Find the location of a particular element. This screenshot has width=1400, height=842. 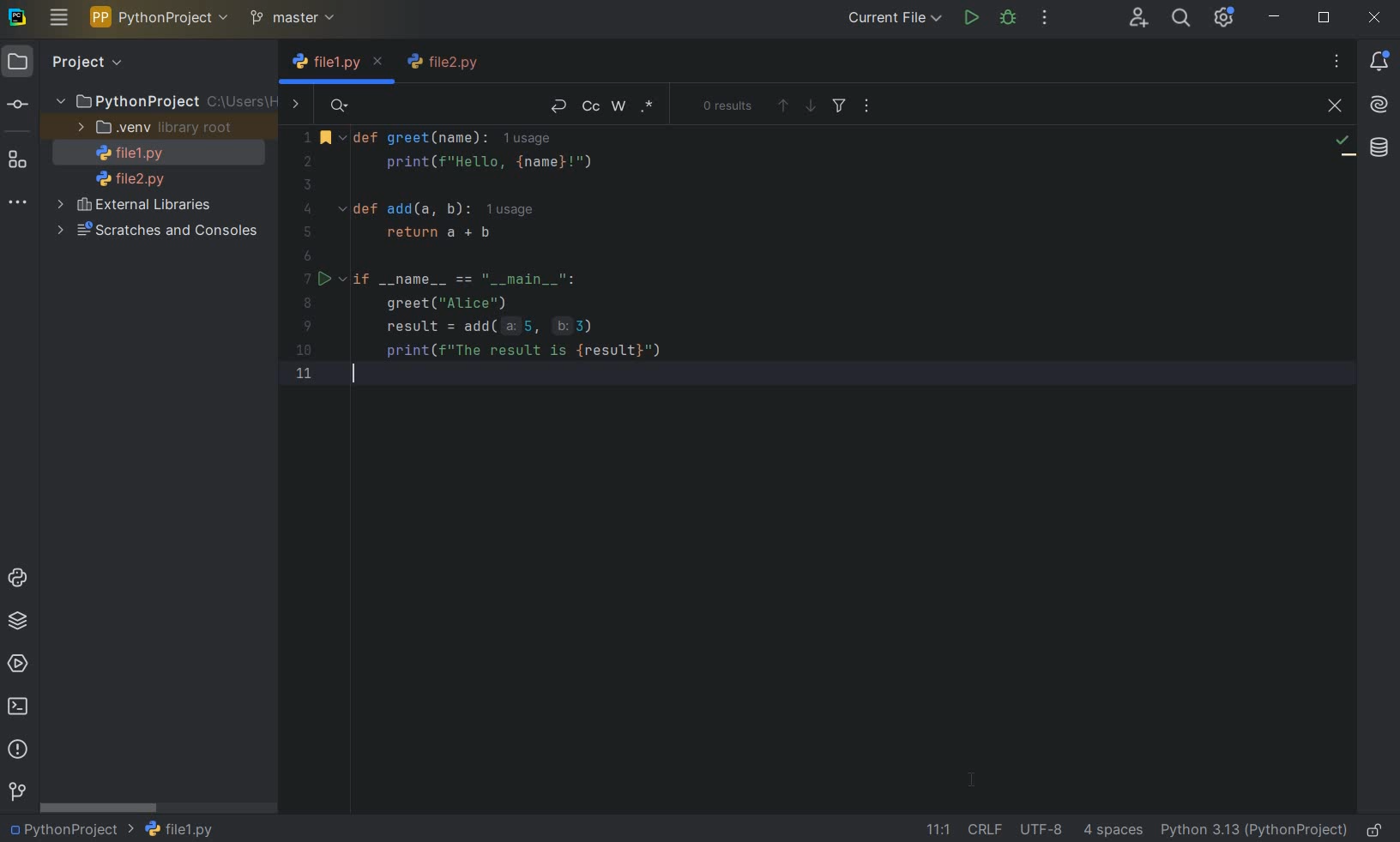

EXTERNAL LIBRARIES is located at coordinates (141, 207).